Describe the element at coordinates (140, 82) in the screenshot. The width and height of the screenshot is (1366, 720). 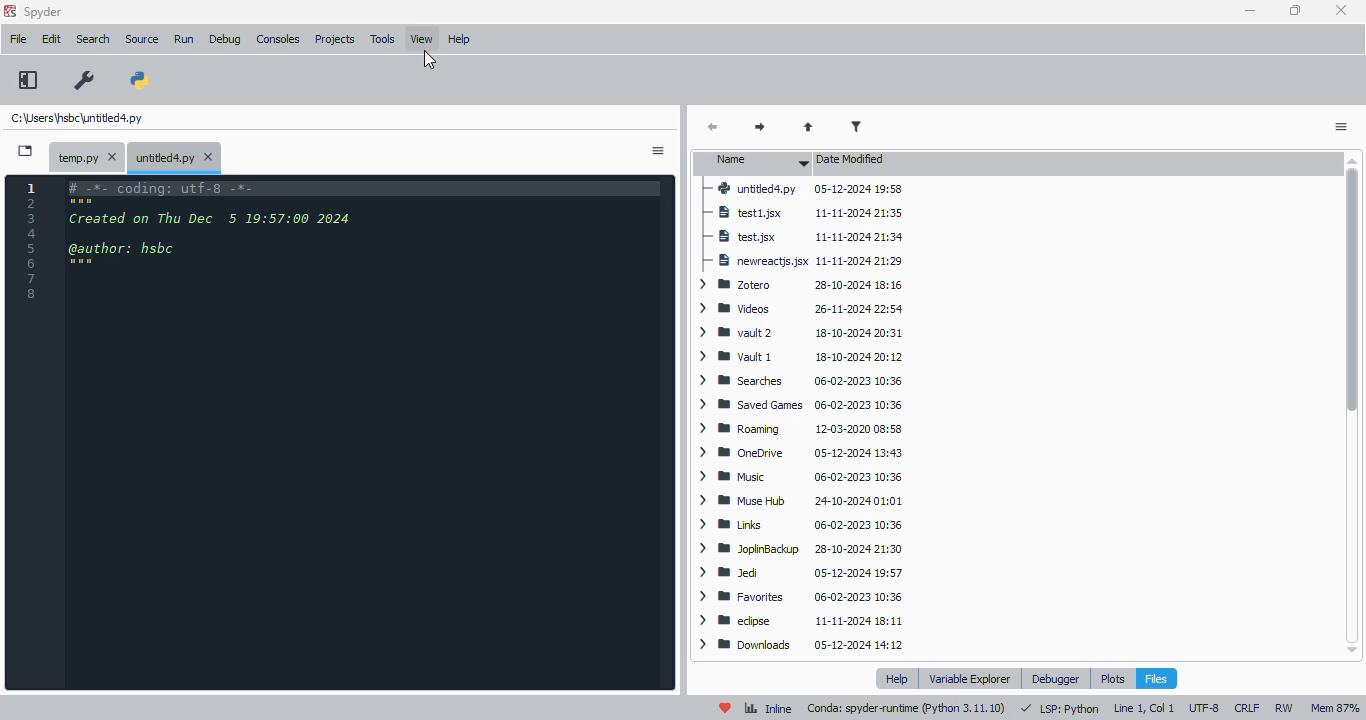
I see `PYTHONPATH MANAGER` at that location.